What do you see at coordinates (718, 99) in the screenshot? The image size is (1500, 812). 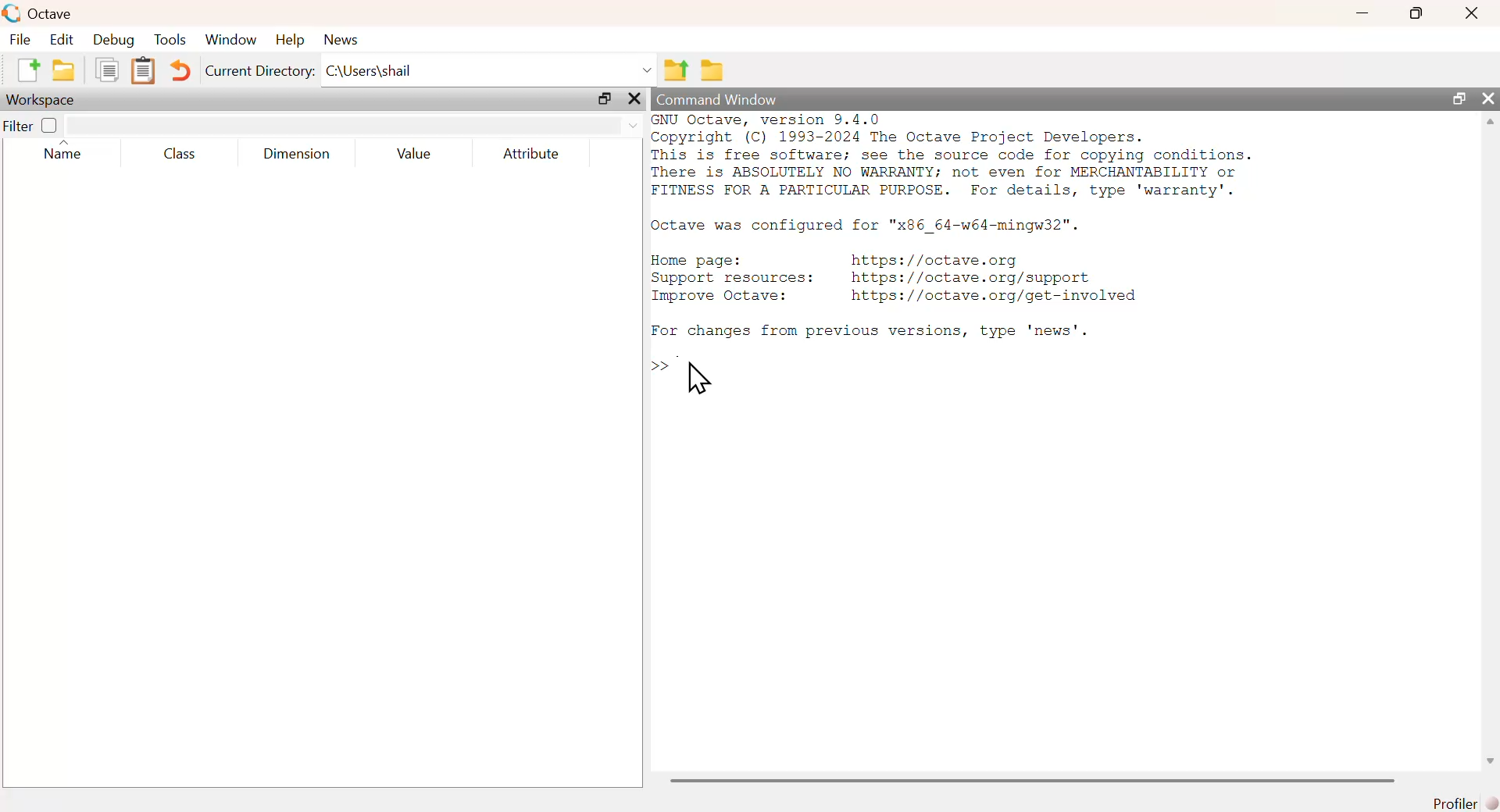 I see `command window` at bounding box center [718, 99].